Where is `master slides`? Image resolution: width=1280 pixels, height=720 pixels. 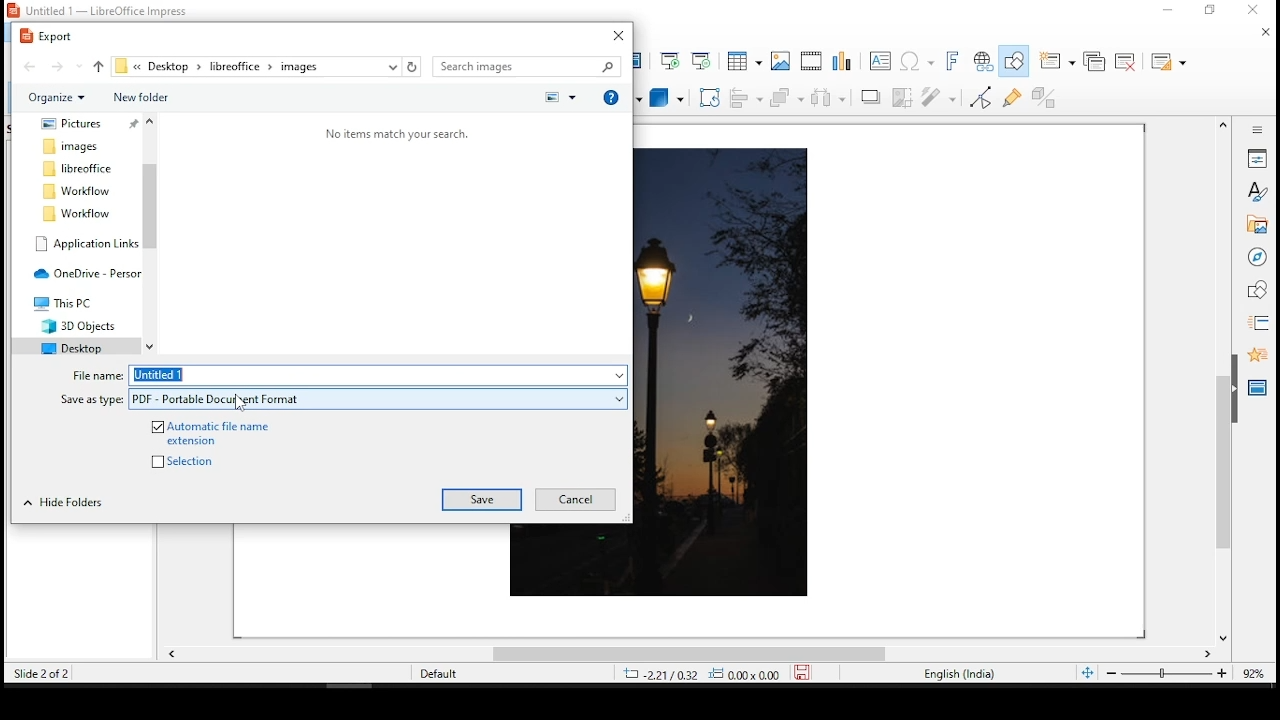 master slides is located at coordinates (1259, 387).